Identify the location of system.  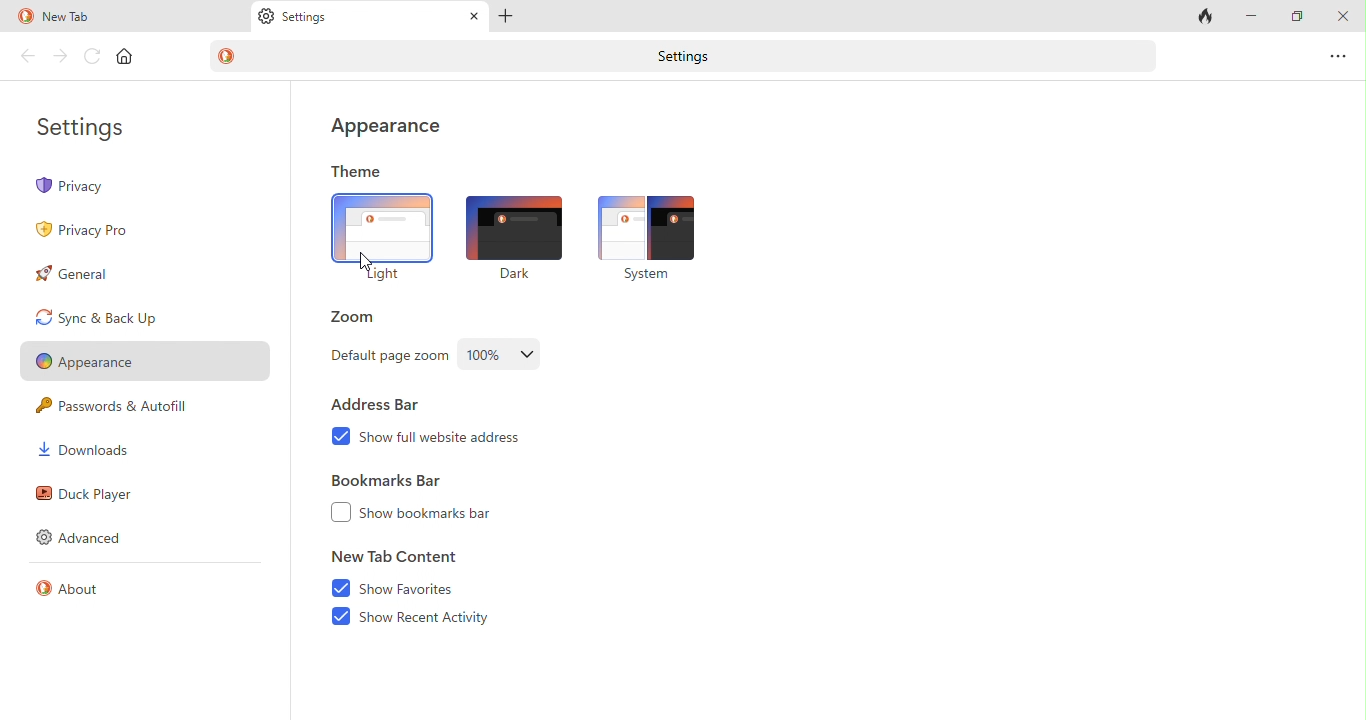
(651, 236).